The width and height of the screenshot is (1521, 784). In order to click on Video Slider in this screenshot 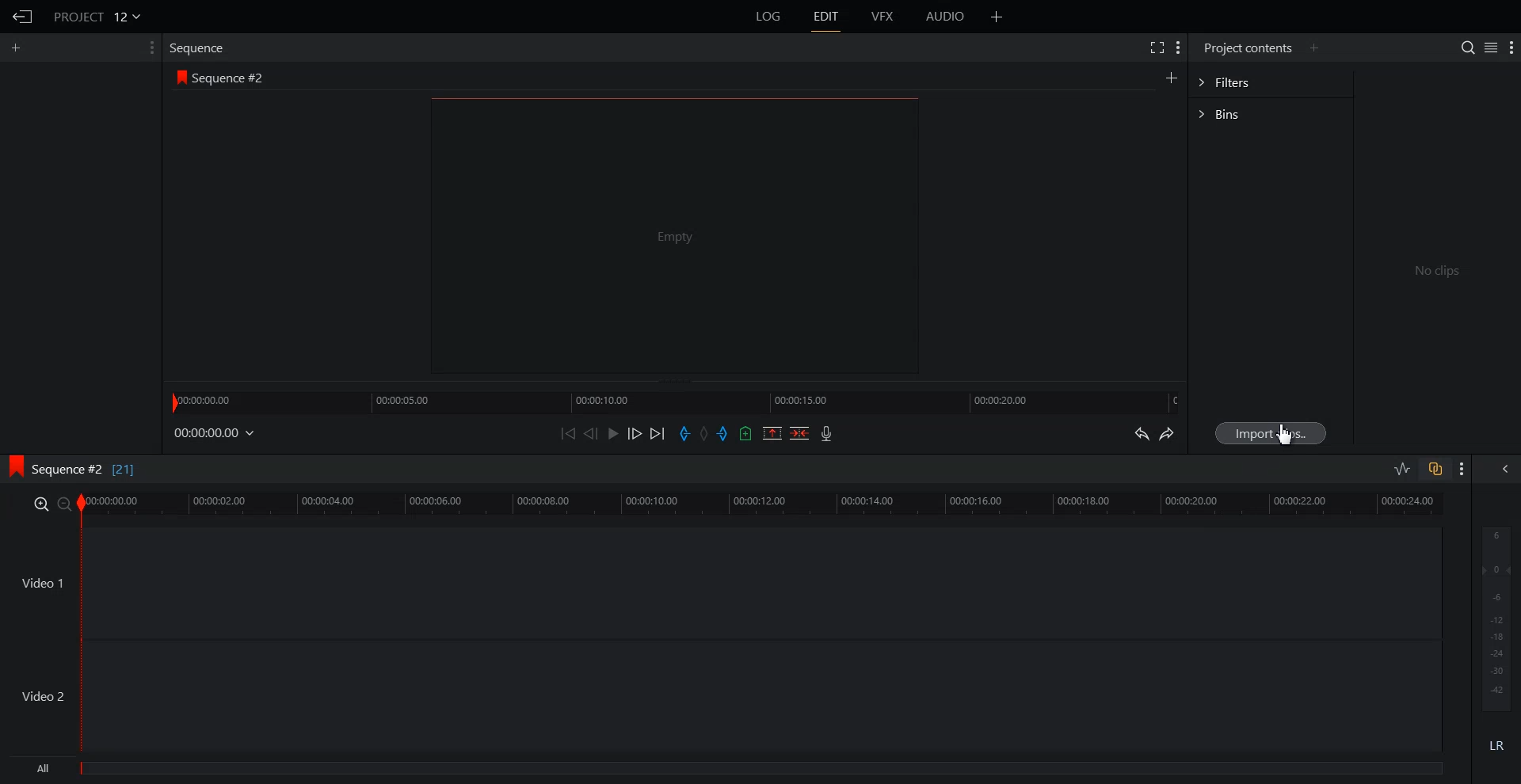, I will do `click(770, 504)`.